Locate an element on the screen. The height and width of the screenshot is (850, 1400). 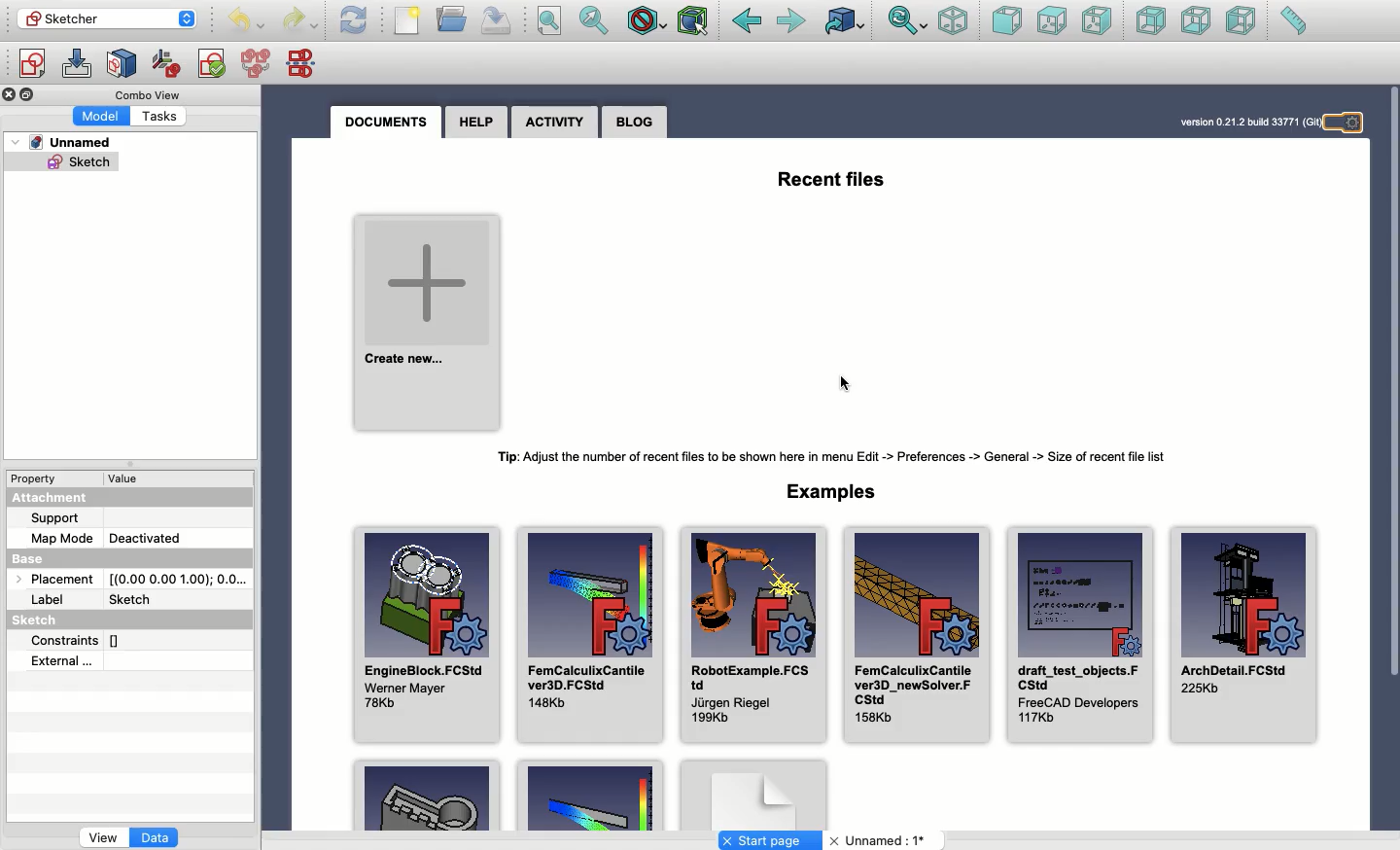
Example 1 is located at coordinates (431, 797).